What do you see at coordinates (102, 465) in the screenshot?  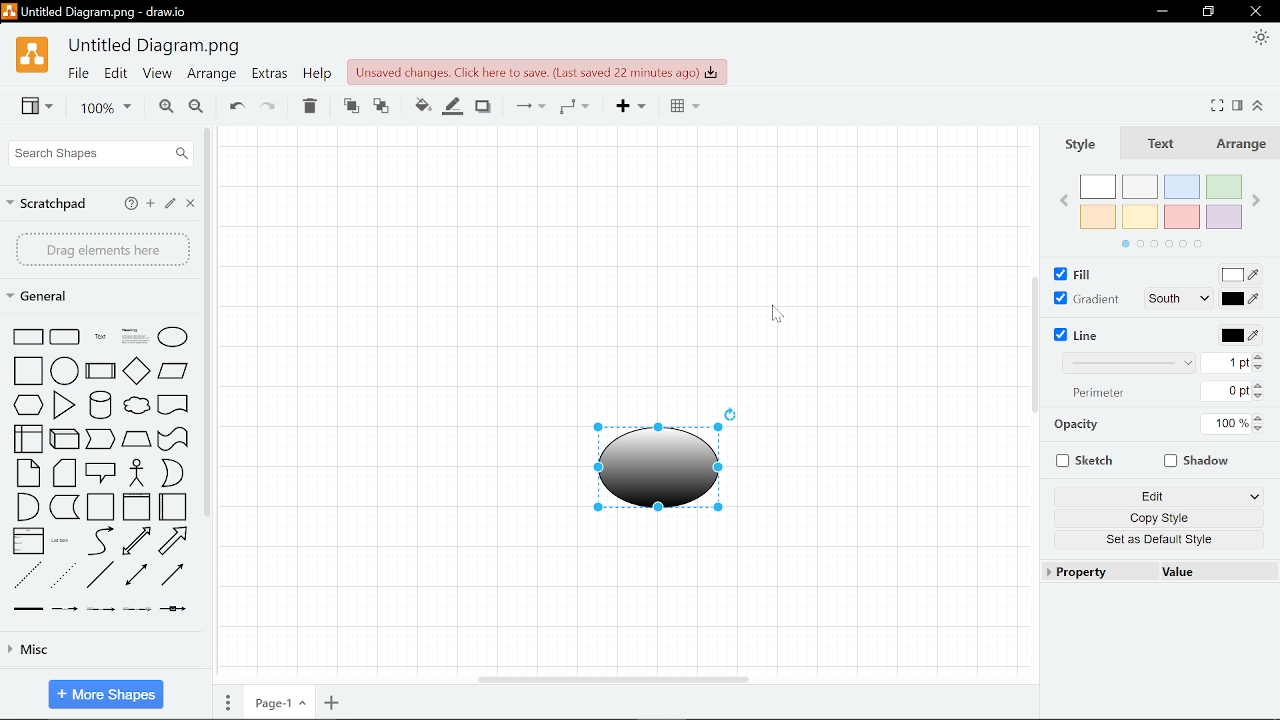 I see `Shapes in general shapes` at bounding box center [102, 465].